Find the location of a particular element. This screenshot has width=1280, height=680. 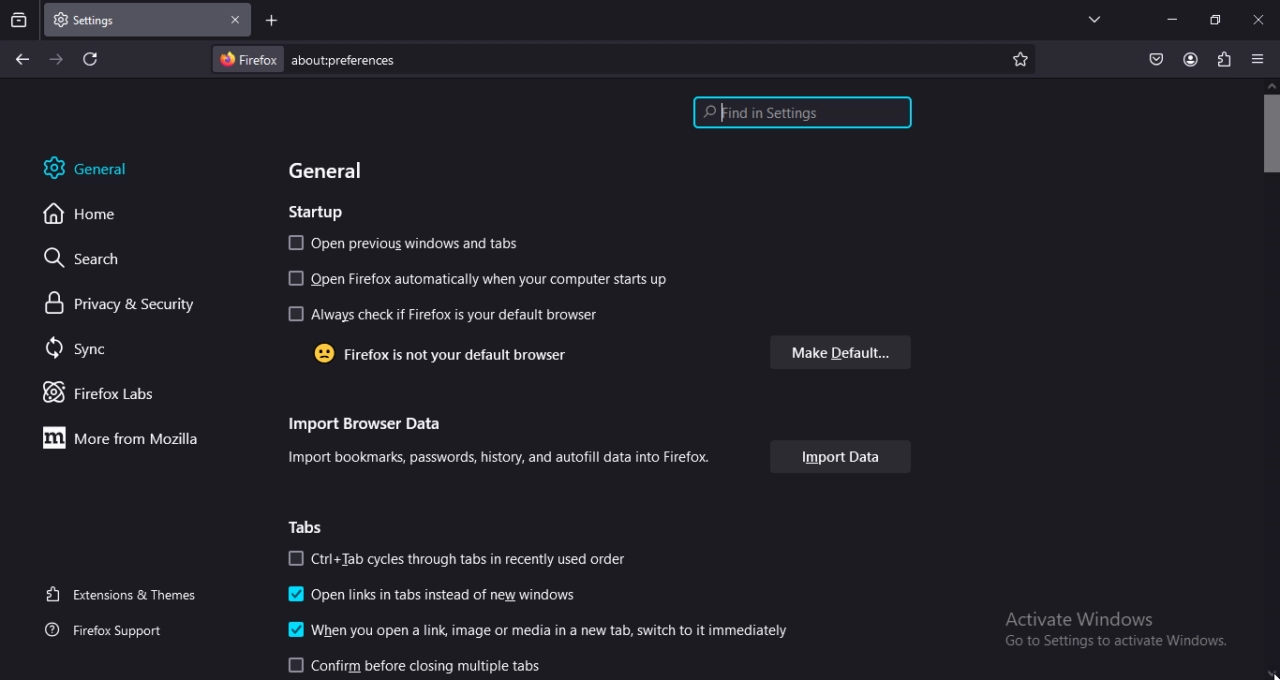

open firefox automtically when computer startup is located at coordinates (482, 280).